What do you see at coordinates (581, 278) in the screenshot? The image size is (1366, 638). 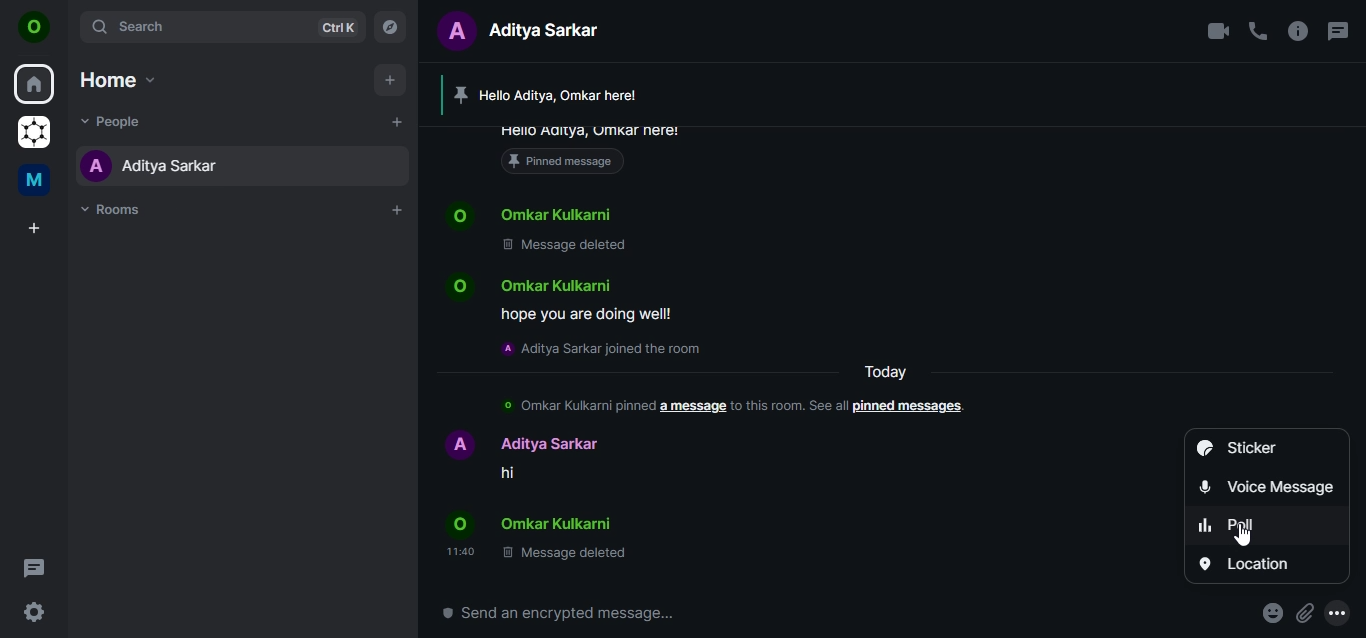 I see `Name© Message deleted Name hope you are doing wellla Aditya Sarkar joined the room` at bounding box center [581, 278].